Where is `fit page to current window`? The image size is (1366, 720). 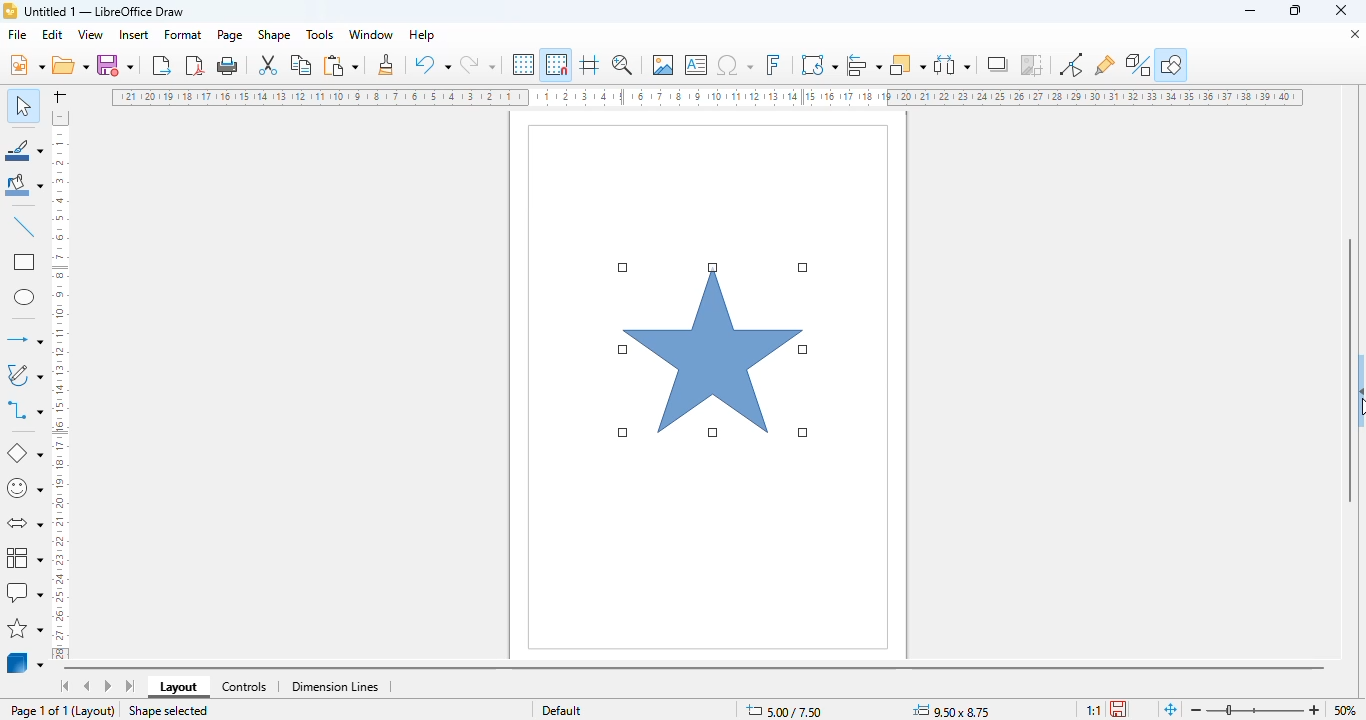 fit page to current window is located at coordinates (1171, 709).